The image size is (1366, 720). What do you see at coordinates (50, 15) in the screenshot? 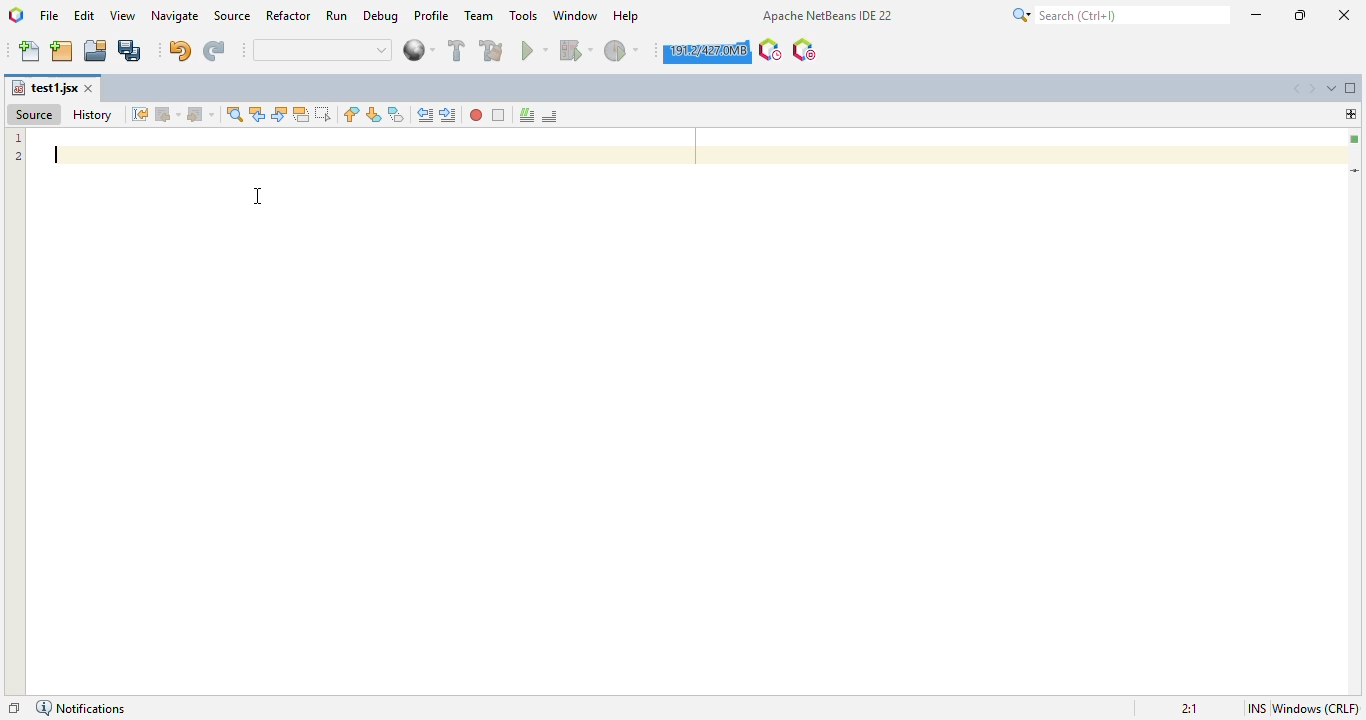
I see `file` at bounding box center [50, 15].